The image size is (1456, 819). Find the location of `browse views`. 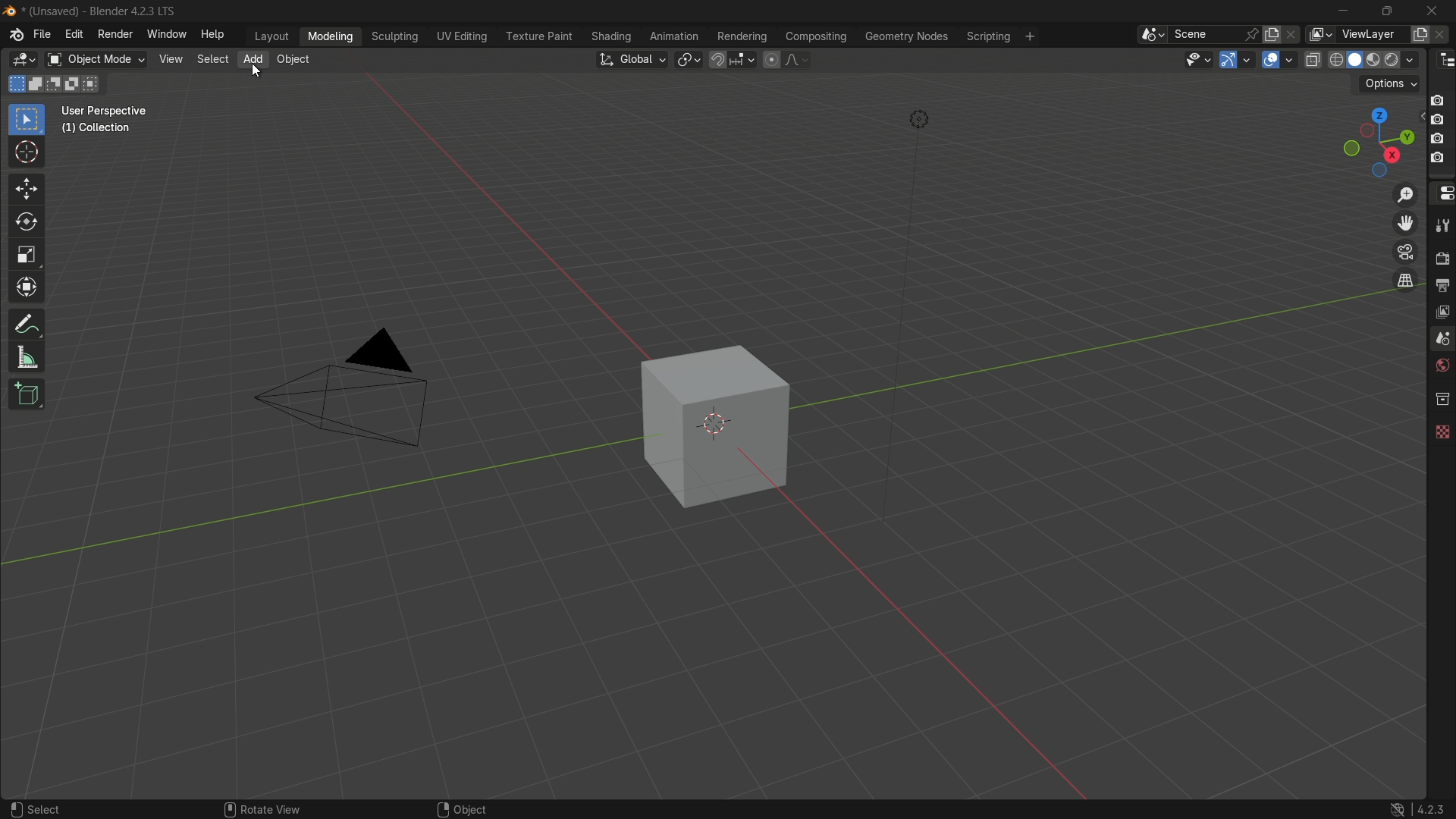

browse views is located at coordinates (1321, 36).